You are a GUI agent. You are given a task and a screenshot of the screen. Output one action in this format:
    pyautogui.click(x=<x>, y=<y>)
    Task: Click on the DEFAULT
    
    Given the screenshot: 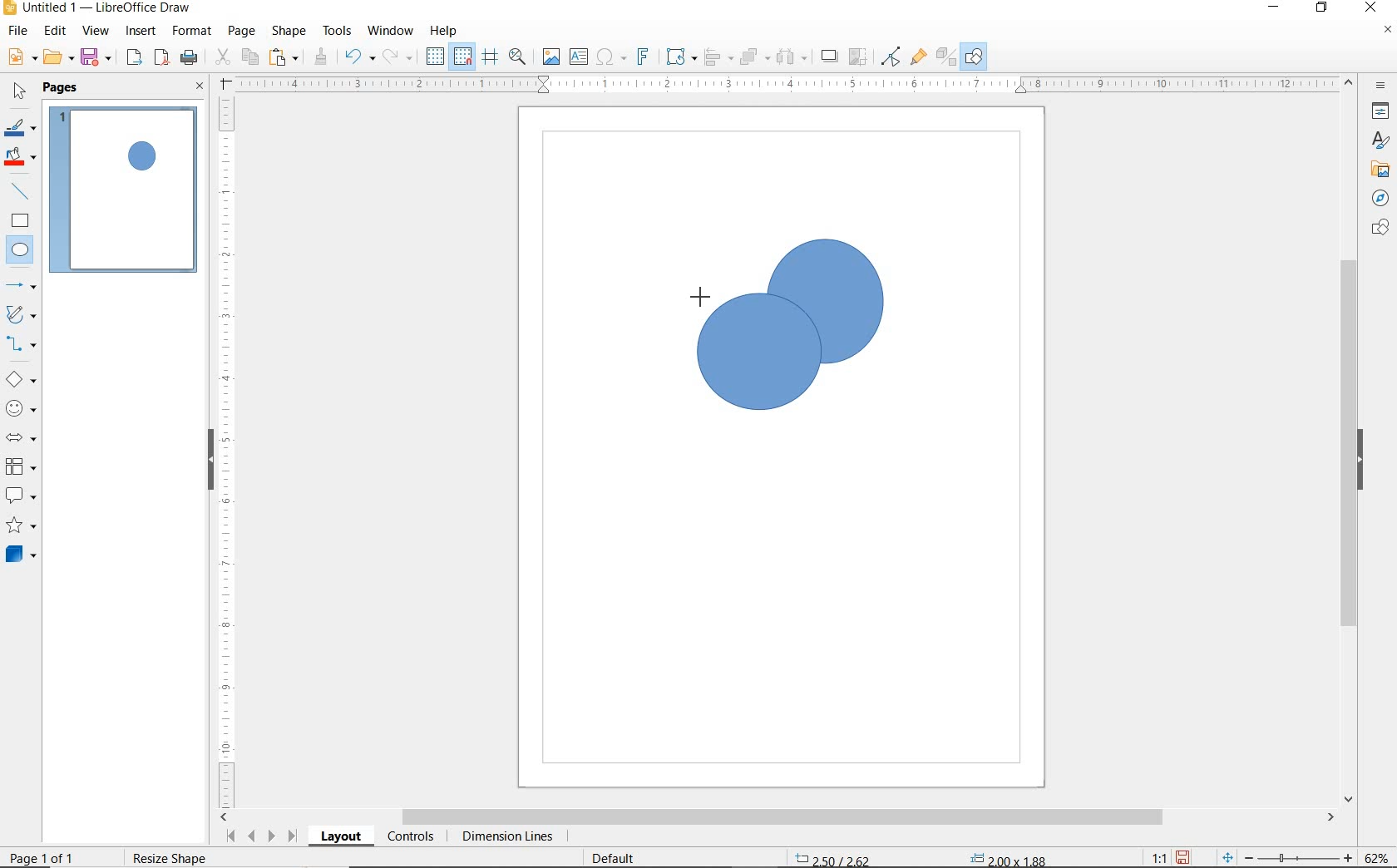 What is the action you would take?
    pyautogui.click(x=619, y=856)
    